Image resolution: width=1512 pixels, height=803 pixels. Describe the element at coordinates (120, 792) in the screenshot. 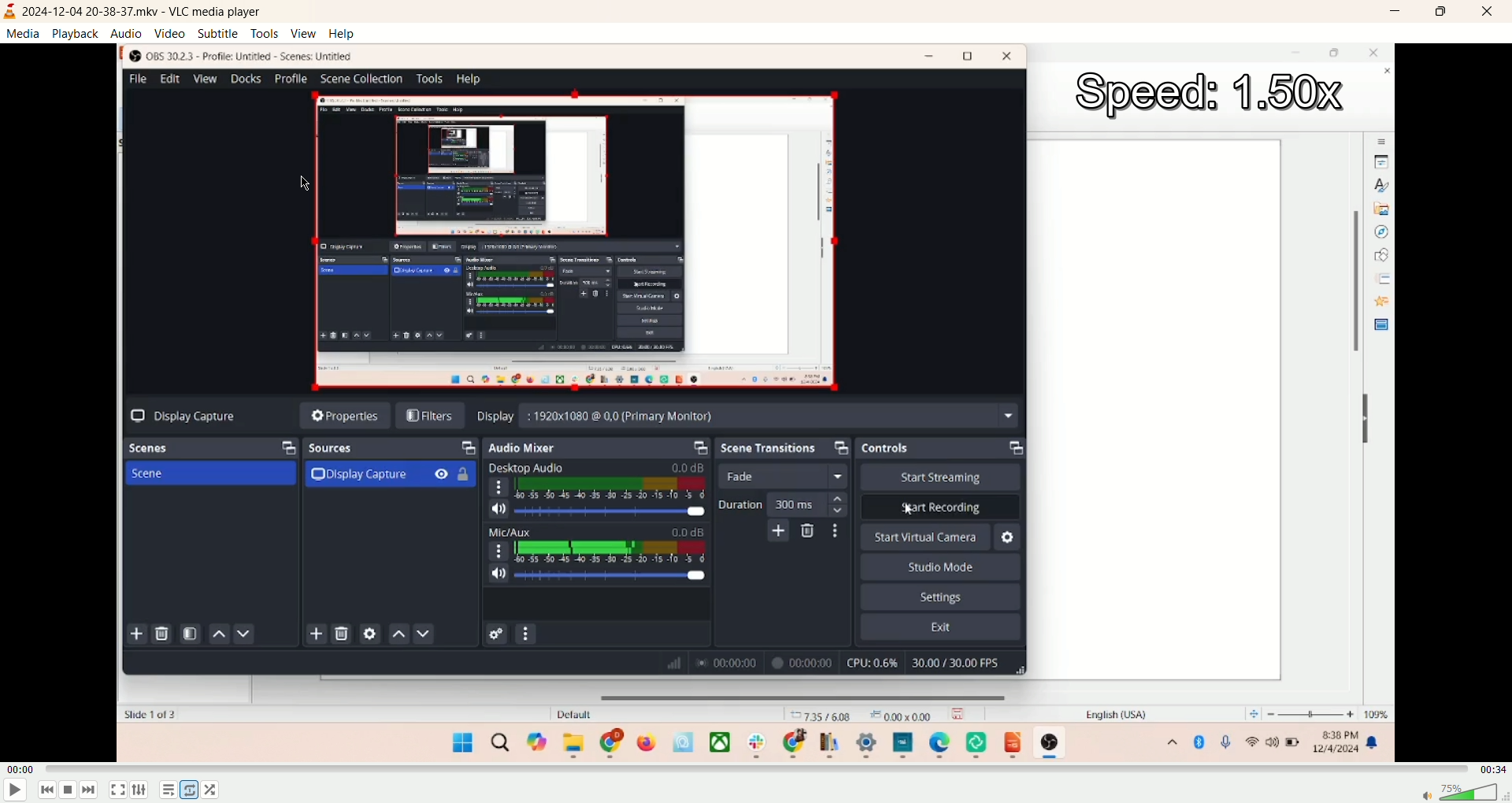

I see `fullscreen` at that location.